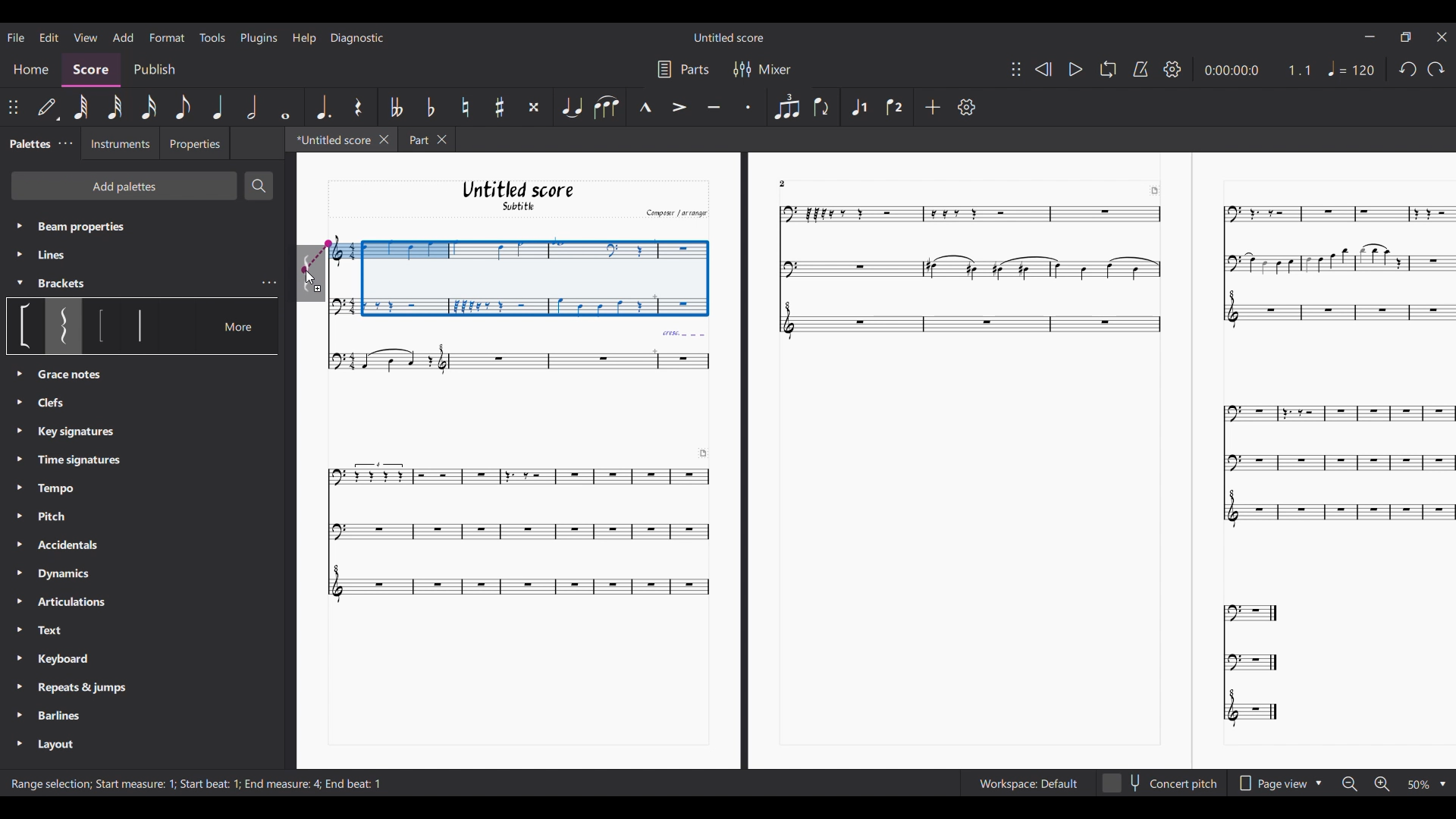 Image resolution: width=1456 pixels, height=819 pixels. I want to click on , so click(522, 475).